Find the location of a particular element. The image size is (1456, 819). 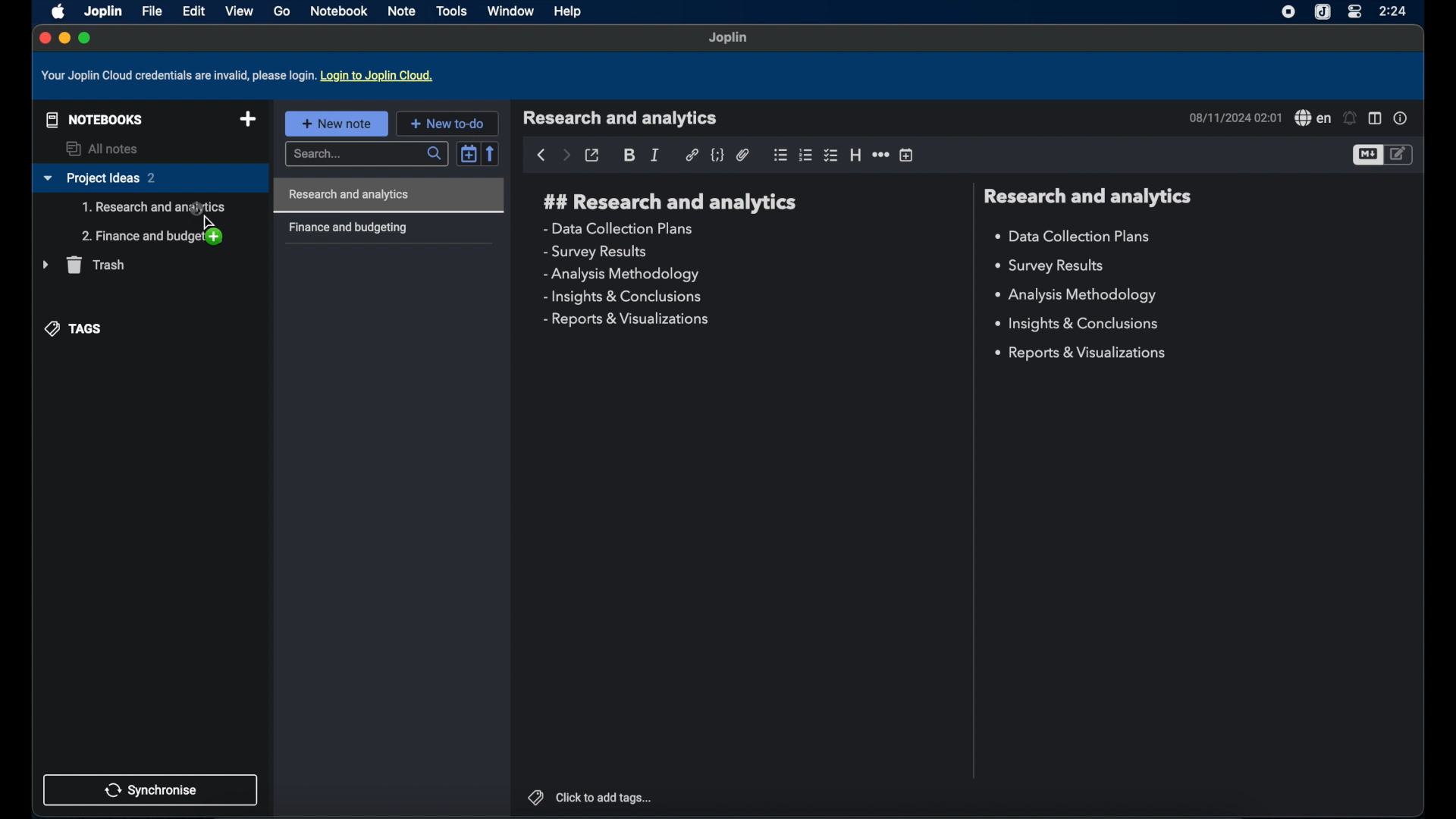

go is located at coordinates (281, 11).